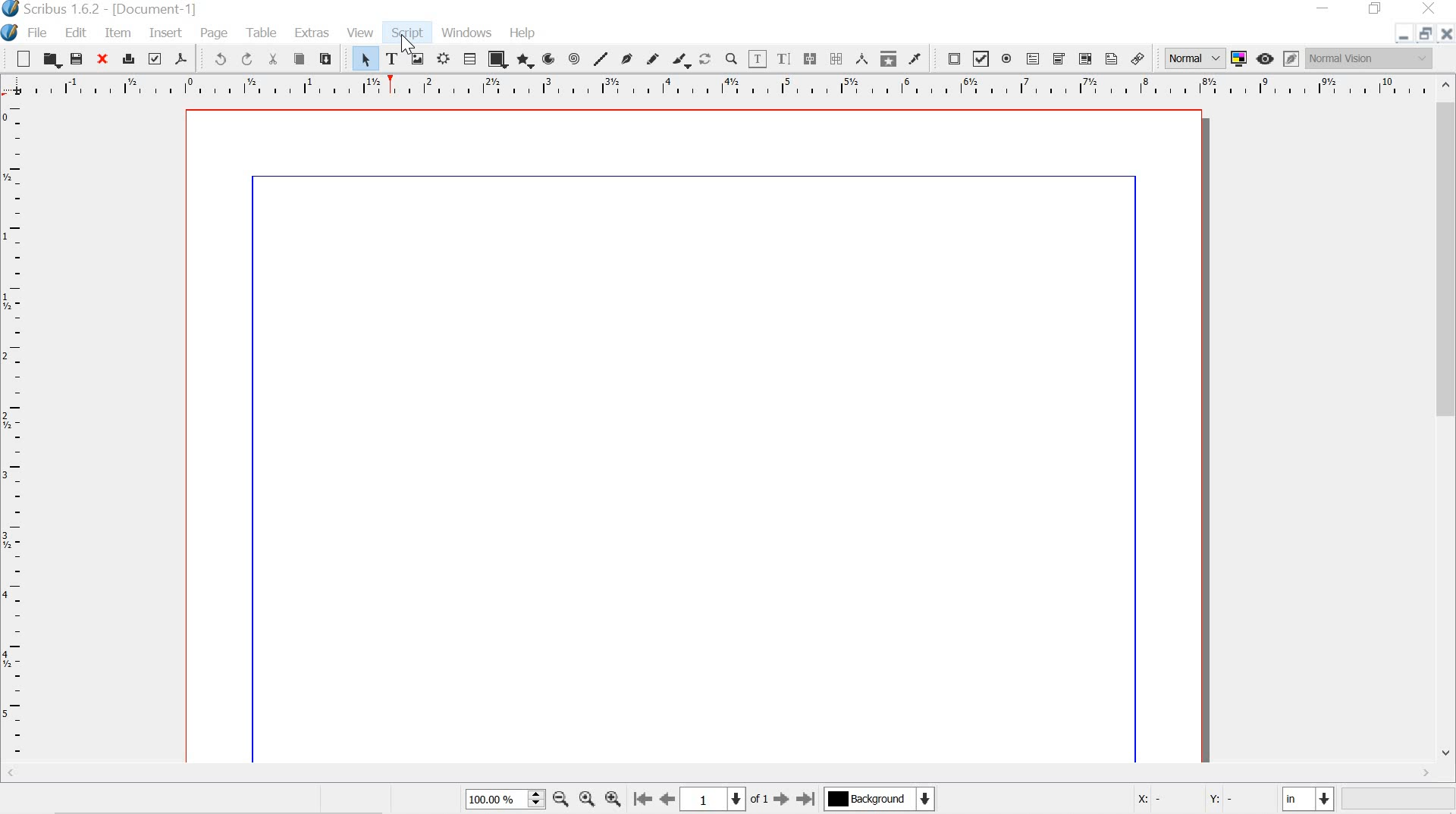 The height and width of the screenshot is (814, 1456). I want to click on script, so click(409, 33).